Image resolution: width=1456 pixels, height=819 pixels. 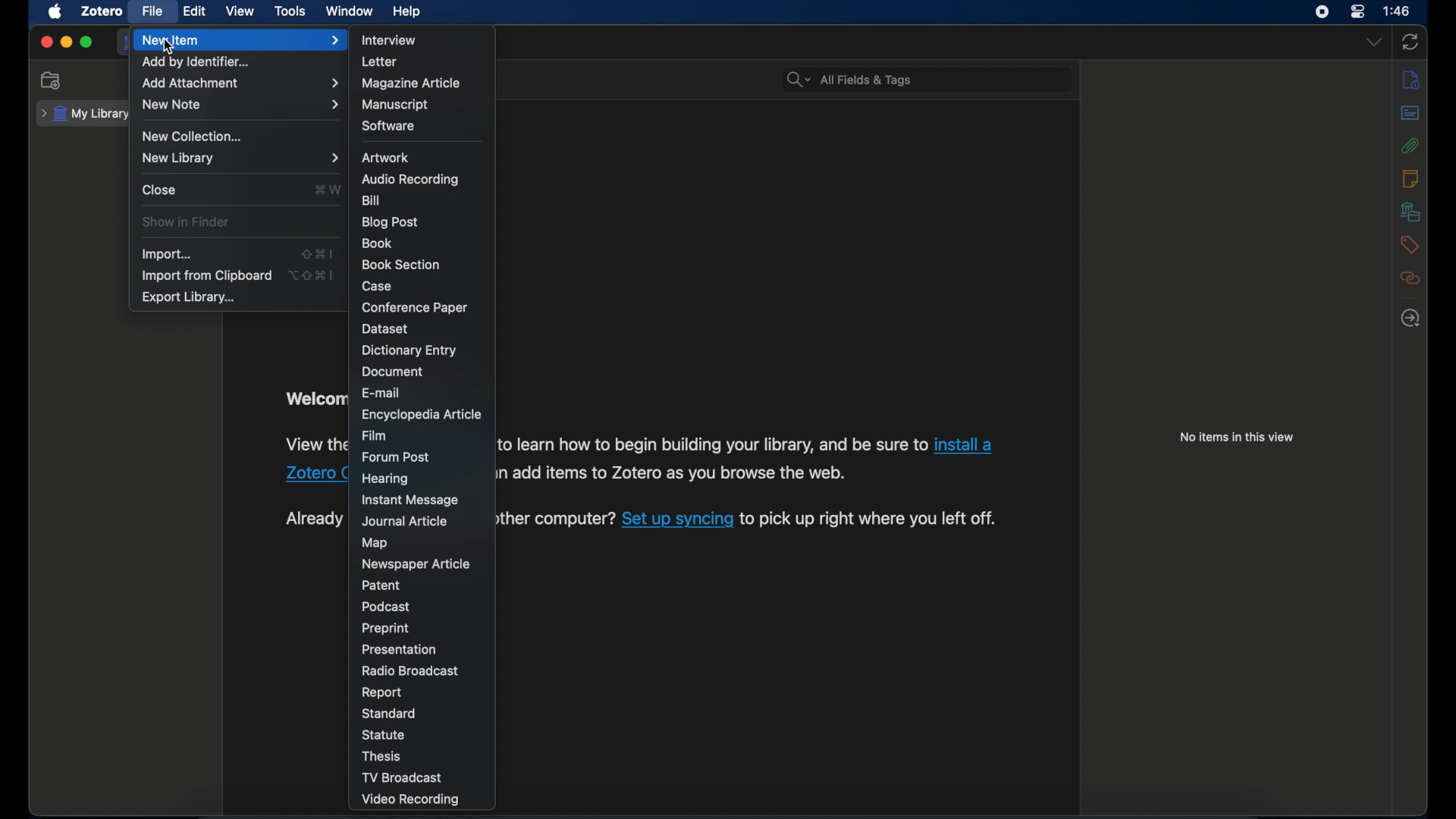 What do you see at coordinates (192, 136) in the screenshot?
I see `new collection` at bounding box center [192, 136].